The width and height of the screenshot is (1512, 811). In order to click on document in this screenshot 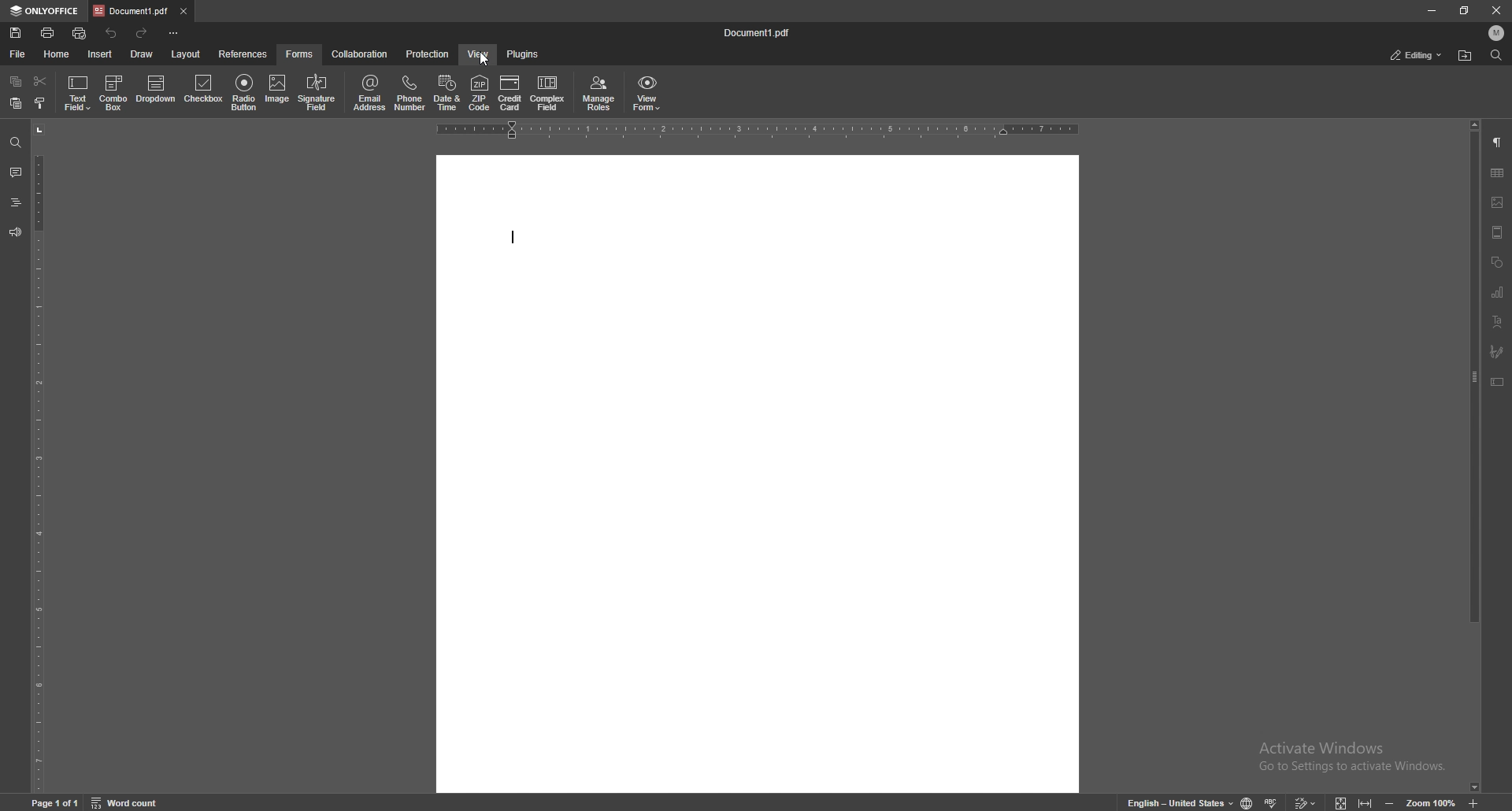, I will do `click(757, 472)`.